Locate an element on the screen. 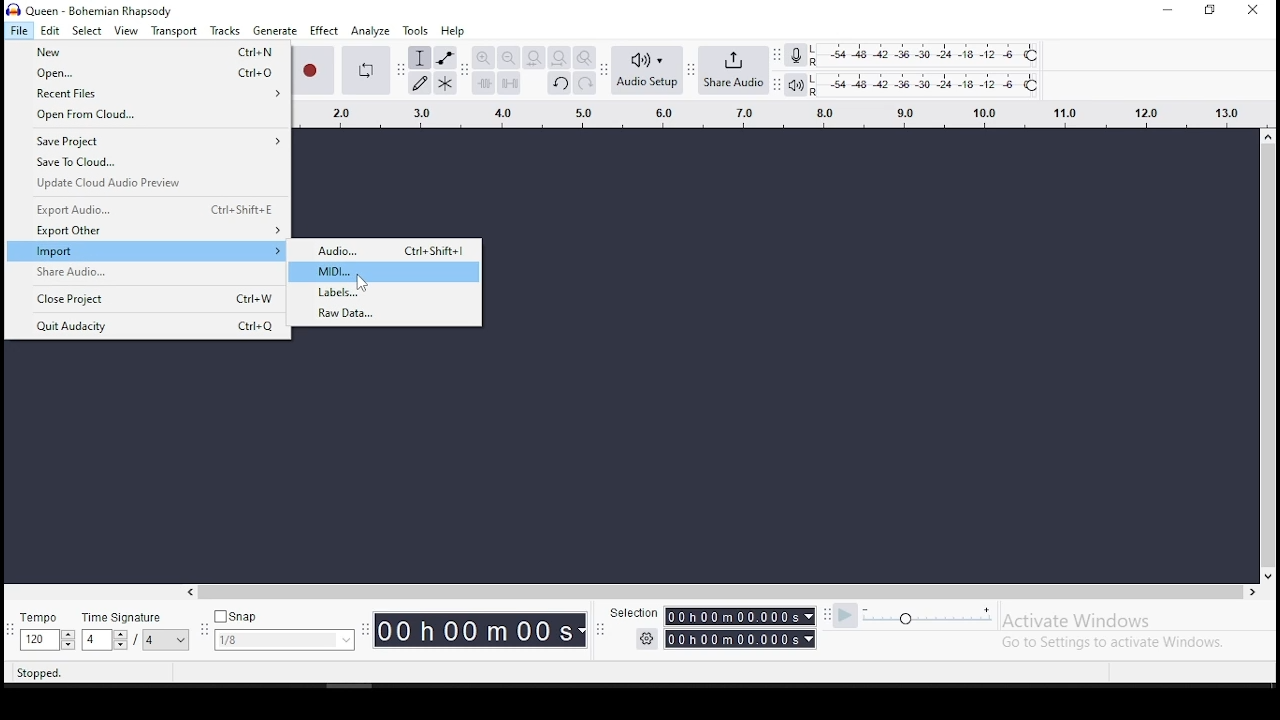  zoom out is located at coordinates (508, 58).